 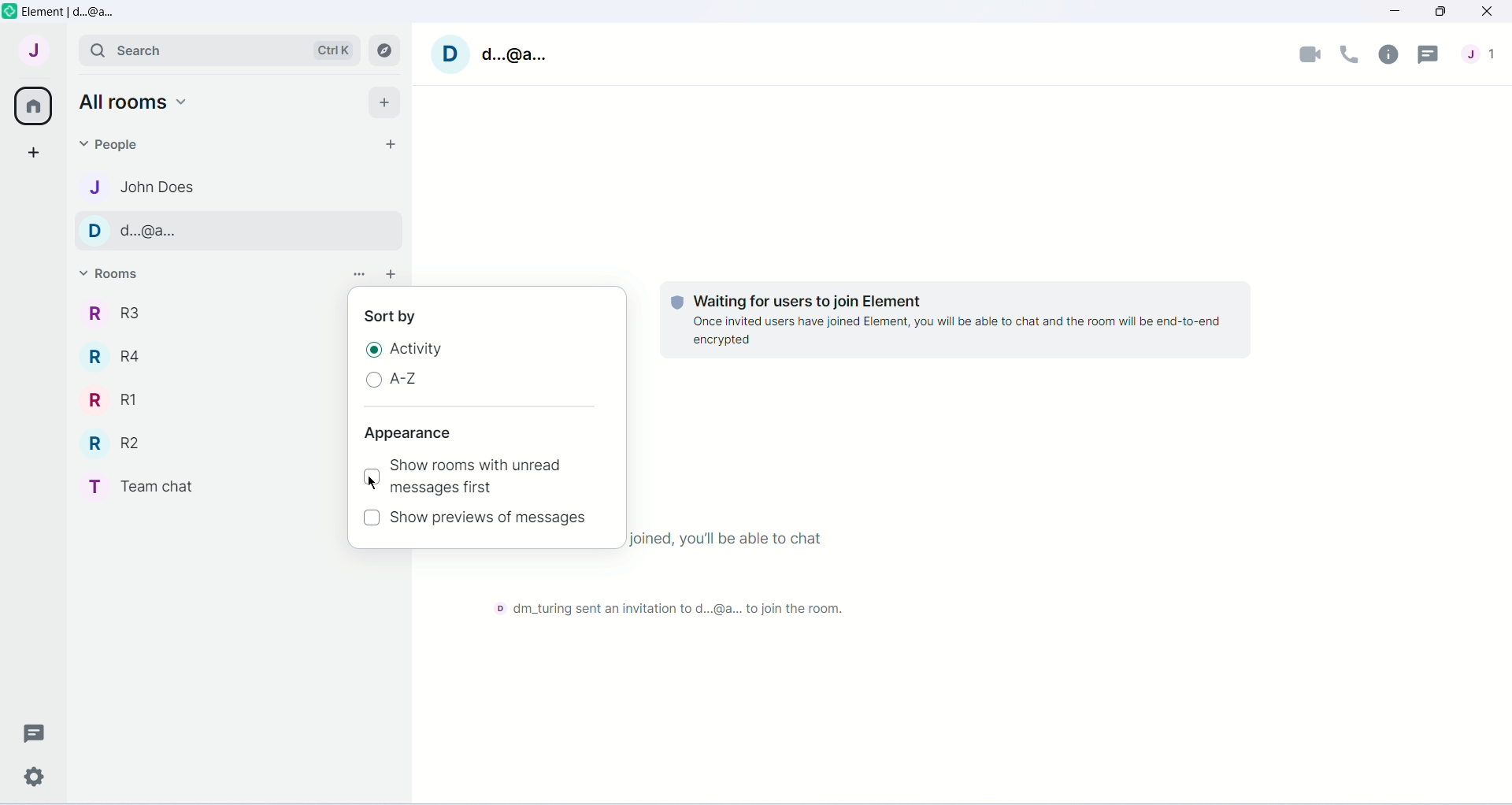 What do you see at coordinates (391, 317) in the screenshot?
I see `sort by` at bounding box center [391, 317].